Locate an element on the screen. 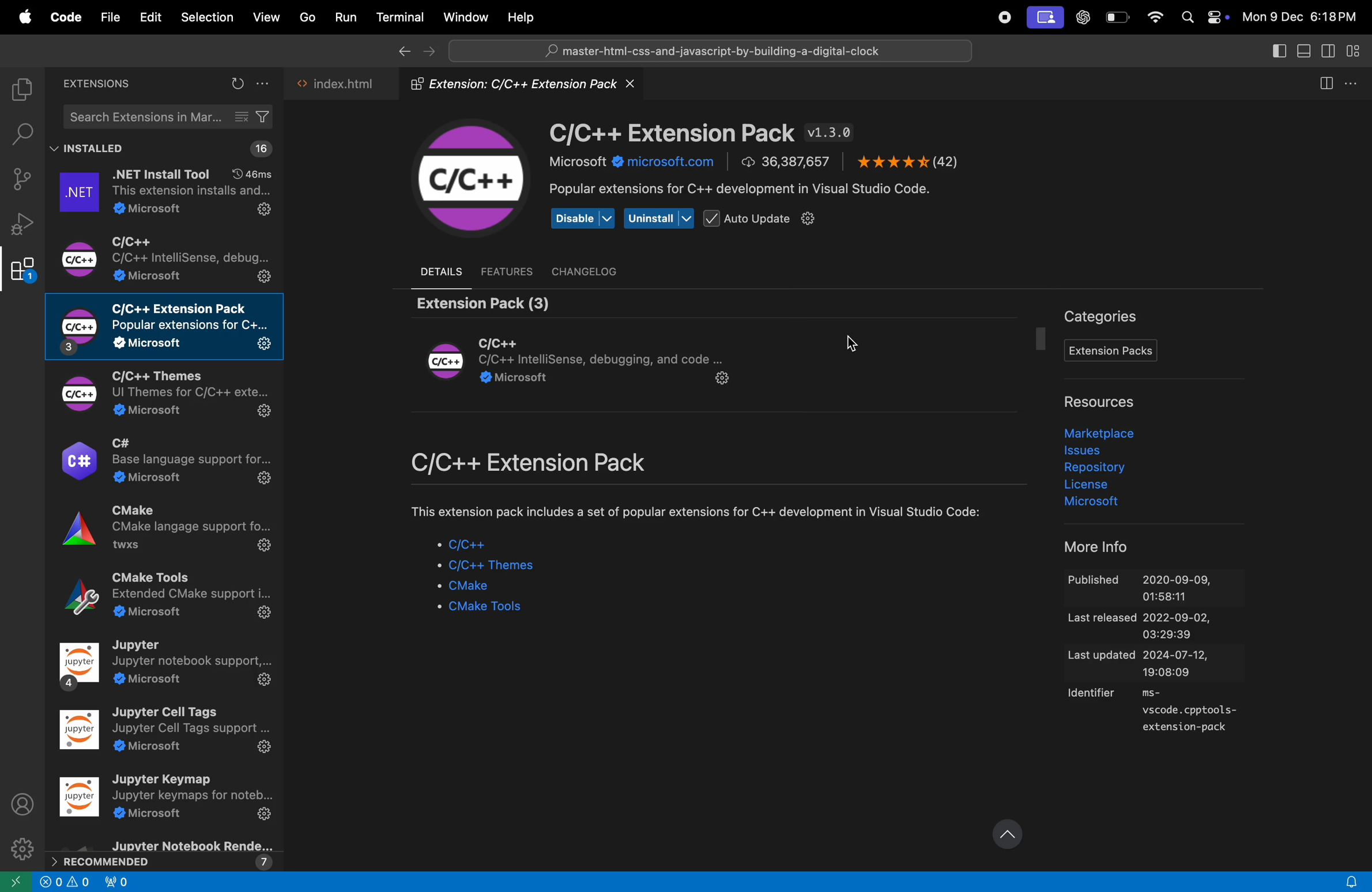 The width and height of the screenshot is (1372, 892). explorer is located at coordinates (18, 87).